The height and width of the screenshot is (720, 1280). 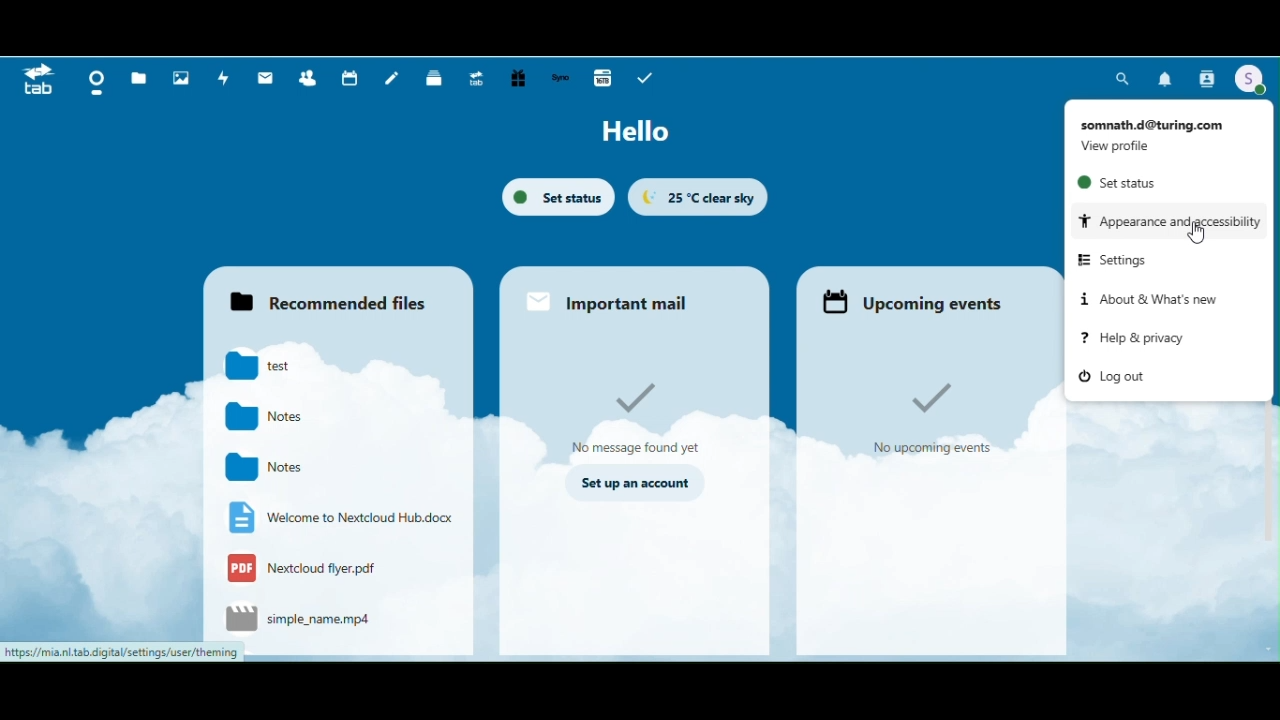 What do you see at coordinates (1200, 237) in the screenshot?
I see `Cursor` at bounding box center [1200, 237].